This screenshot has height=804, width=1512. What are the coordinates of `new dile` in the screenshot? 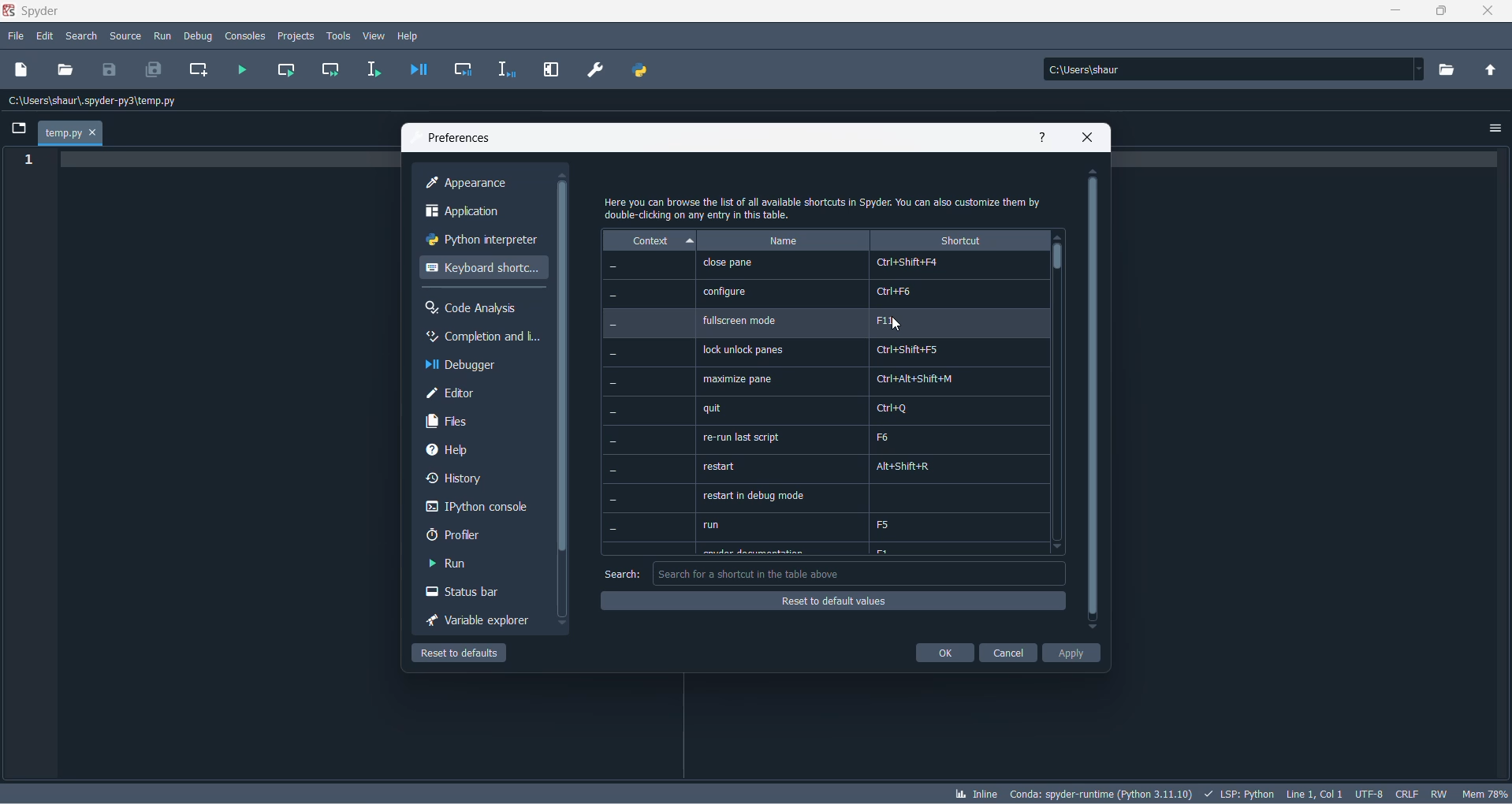 It's located at (22, 69).